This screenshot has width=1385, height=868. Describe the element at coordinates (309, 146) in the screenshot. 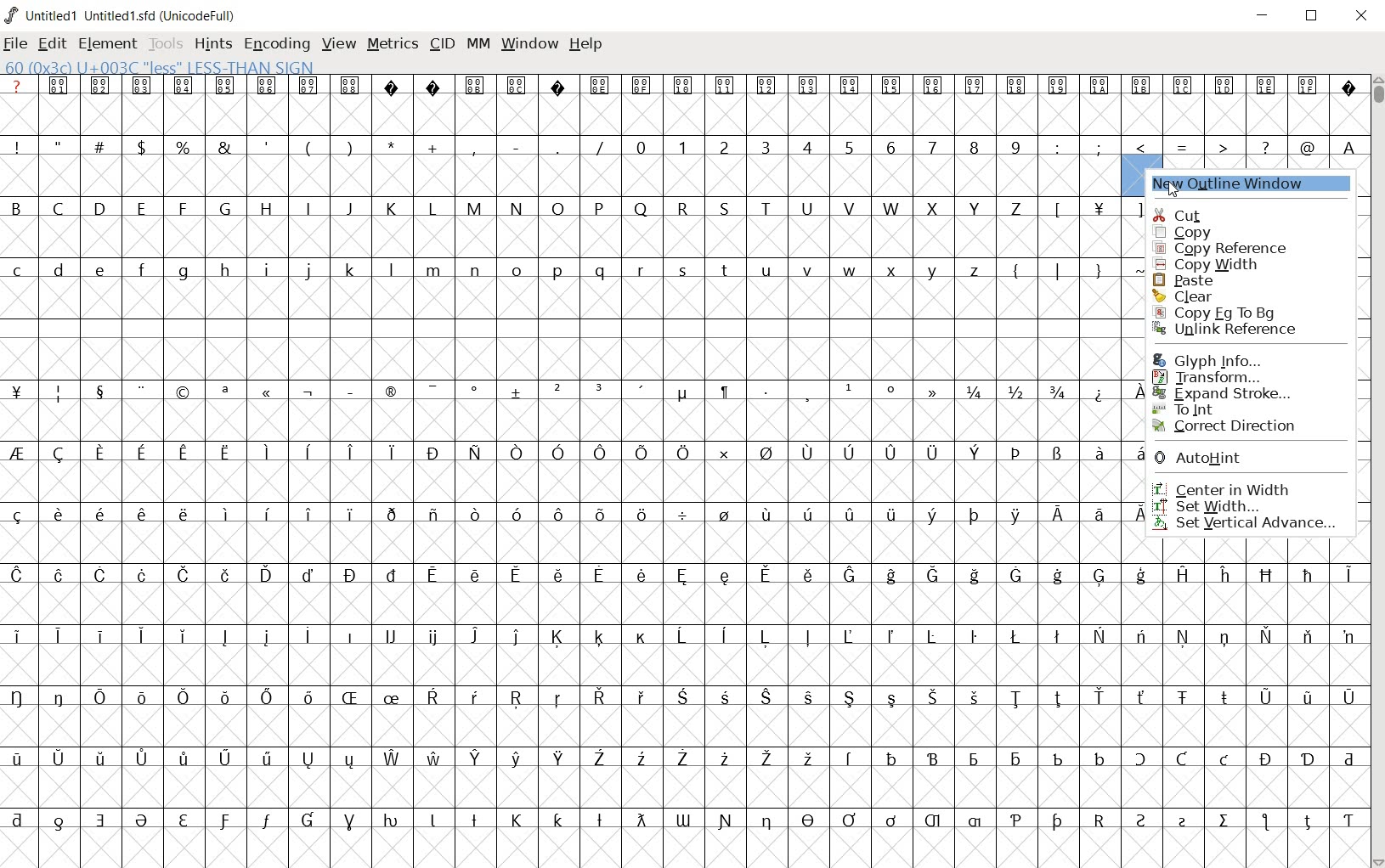

I see `symbols` at that location.